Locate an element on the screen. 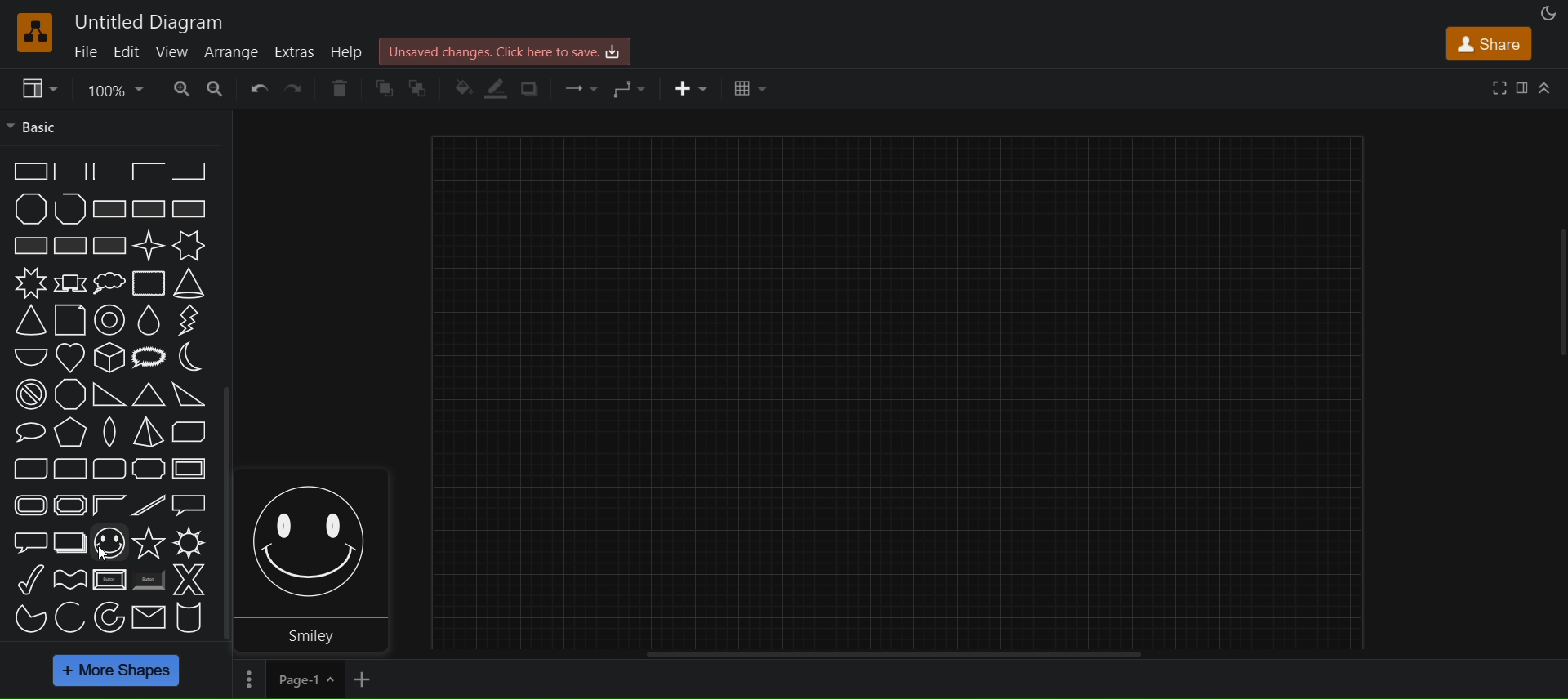 The height and width of the screenshot is (699, 1568). wave is located at coordinates (69, 577).